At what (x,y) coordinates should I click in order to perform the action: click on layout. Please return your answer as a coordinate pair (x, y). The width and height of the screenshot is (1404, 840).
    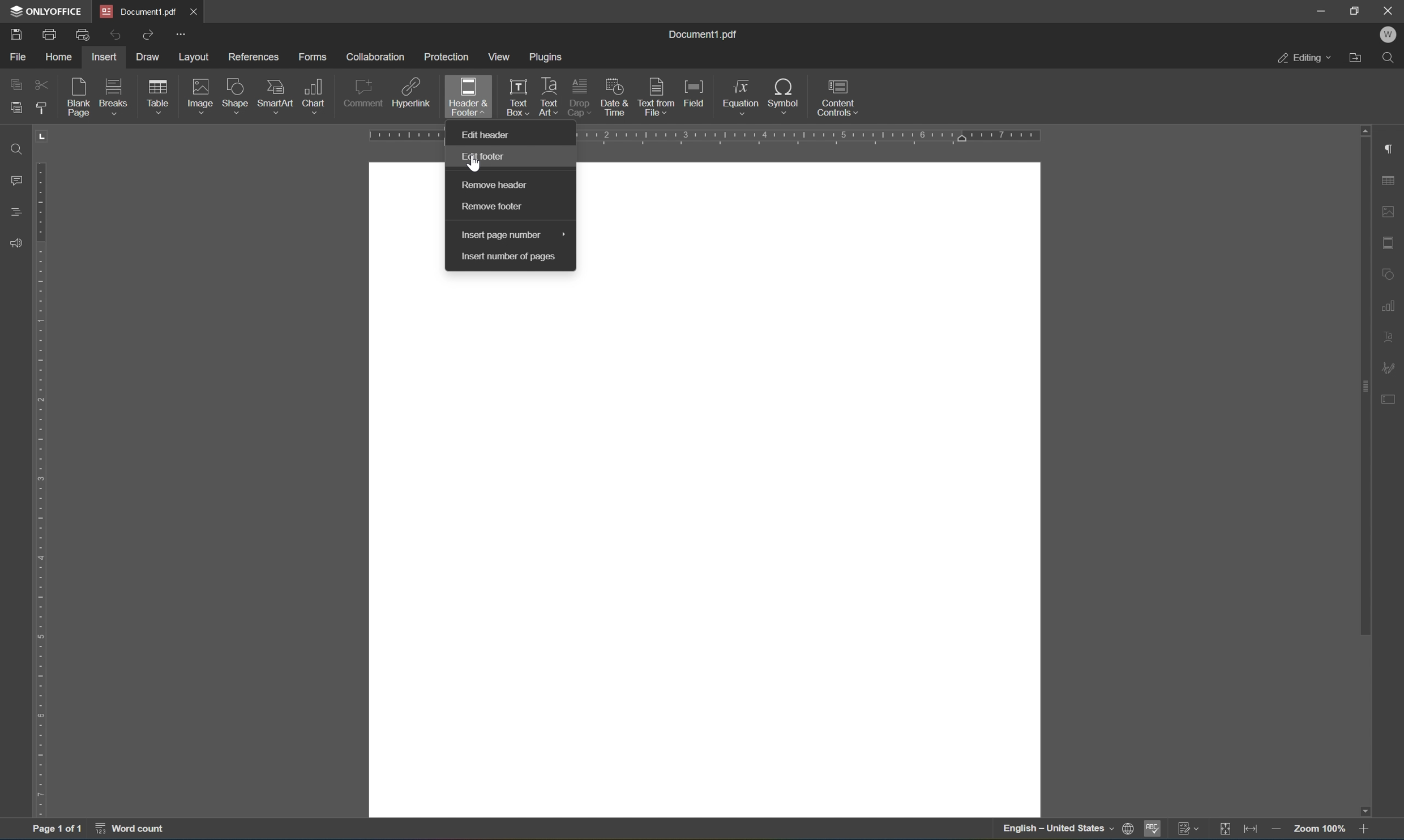
    Looking at the image, I should click on (196, 57).